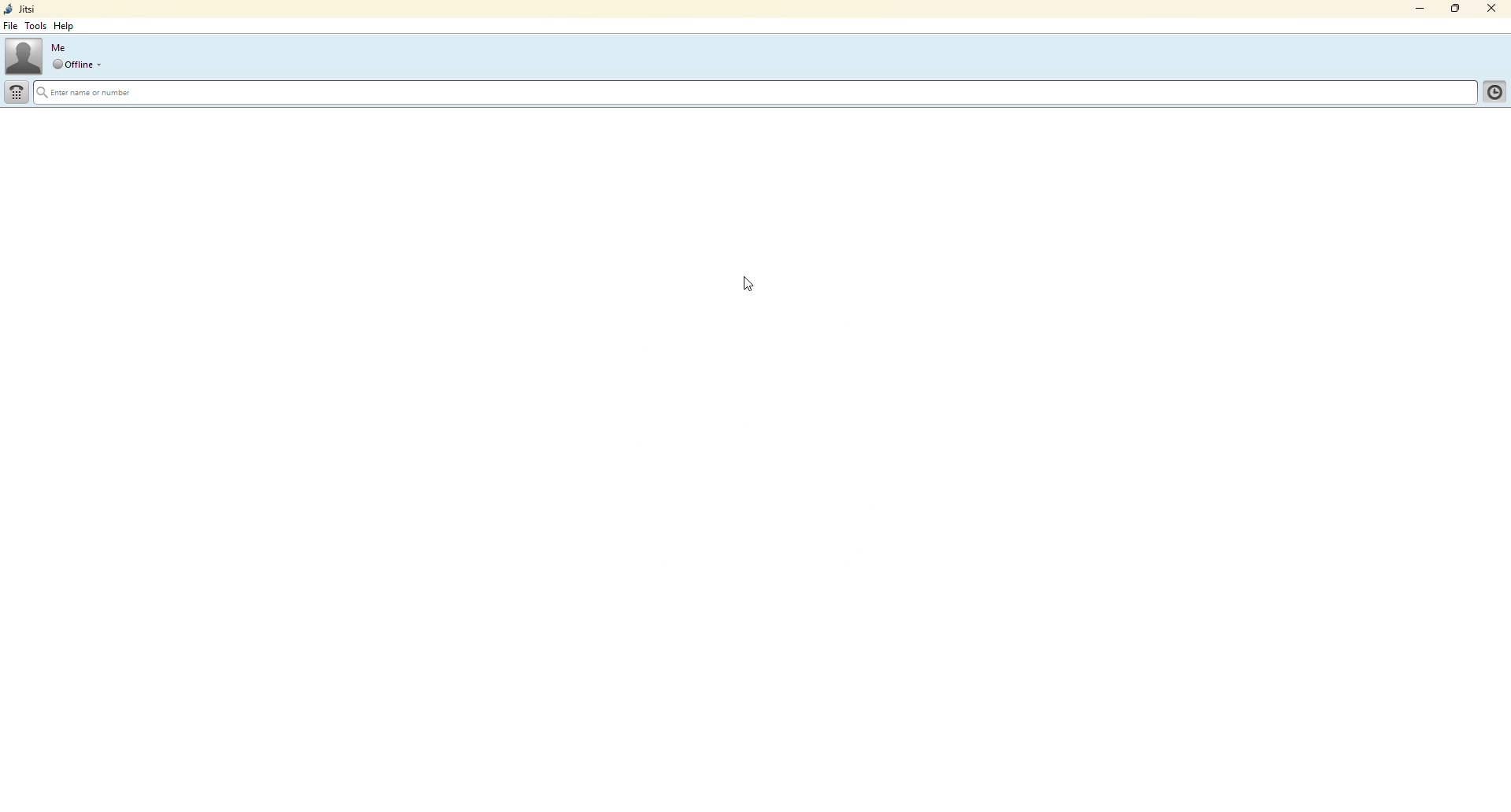  I want to click on maximize, so click(1452, 10).